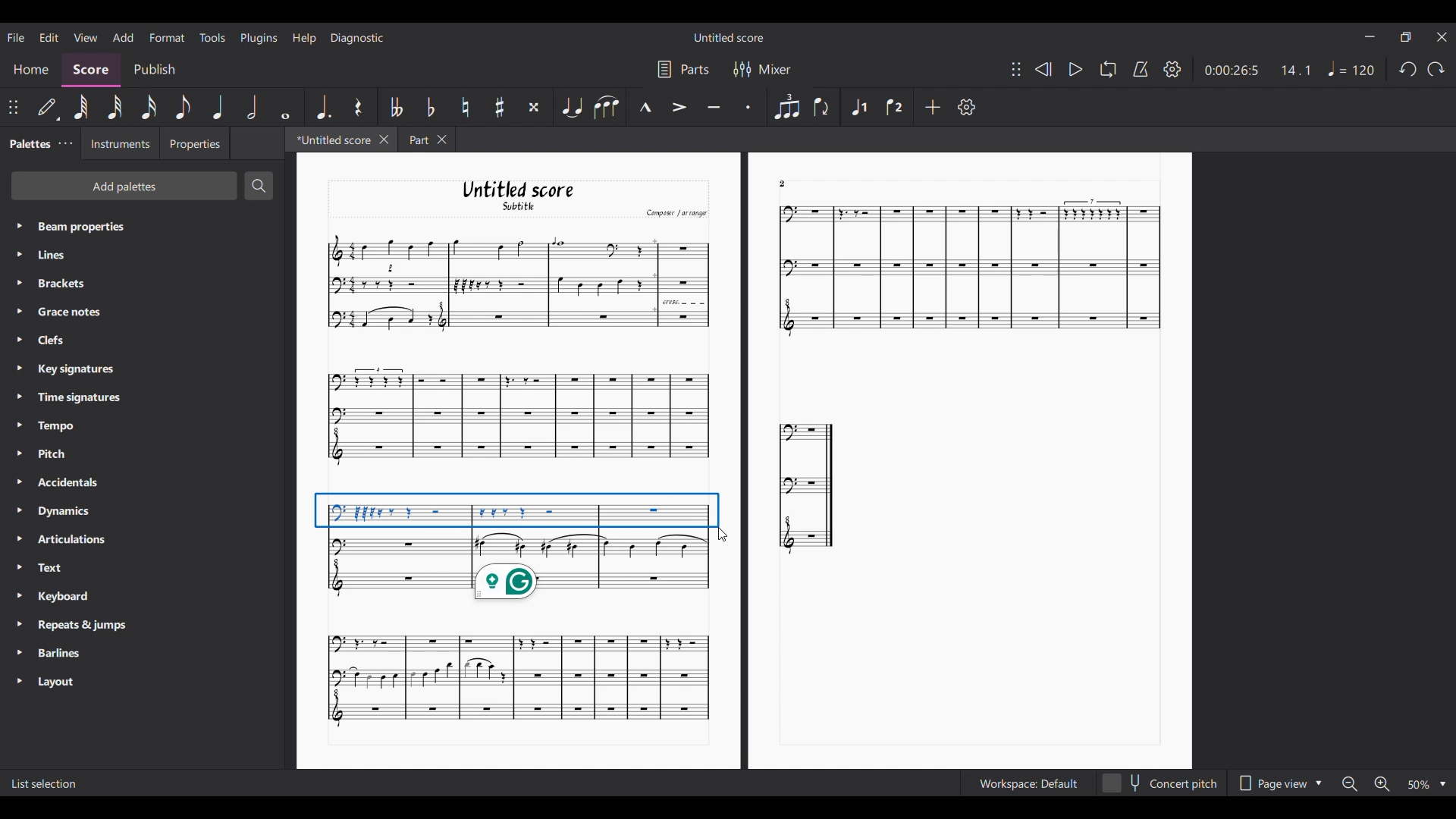 This screenshot has width=1456, height=819. I want to click on Move toolbar, so click(1016, 69).